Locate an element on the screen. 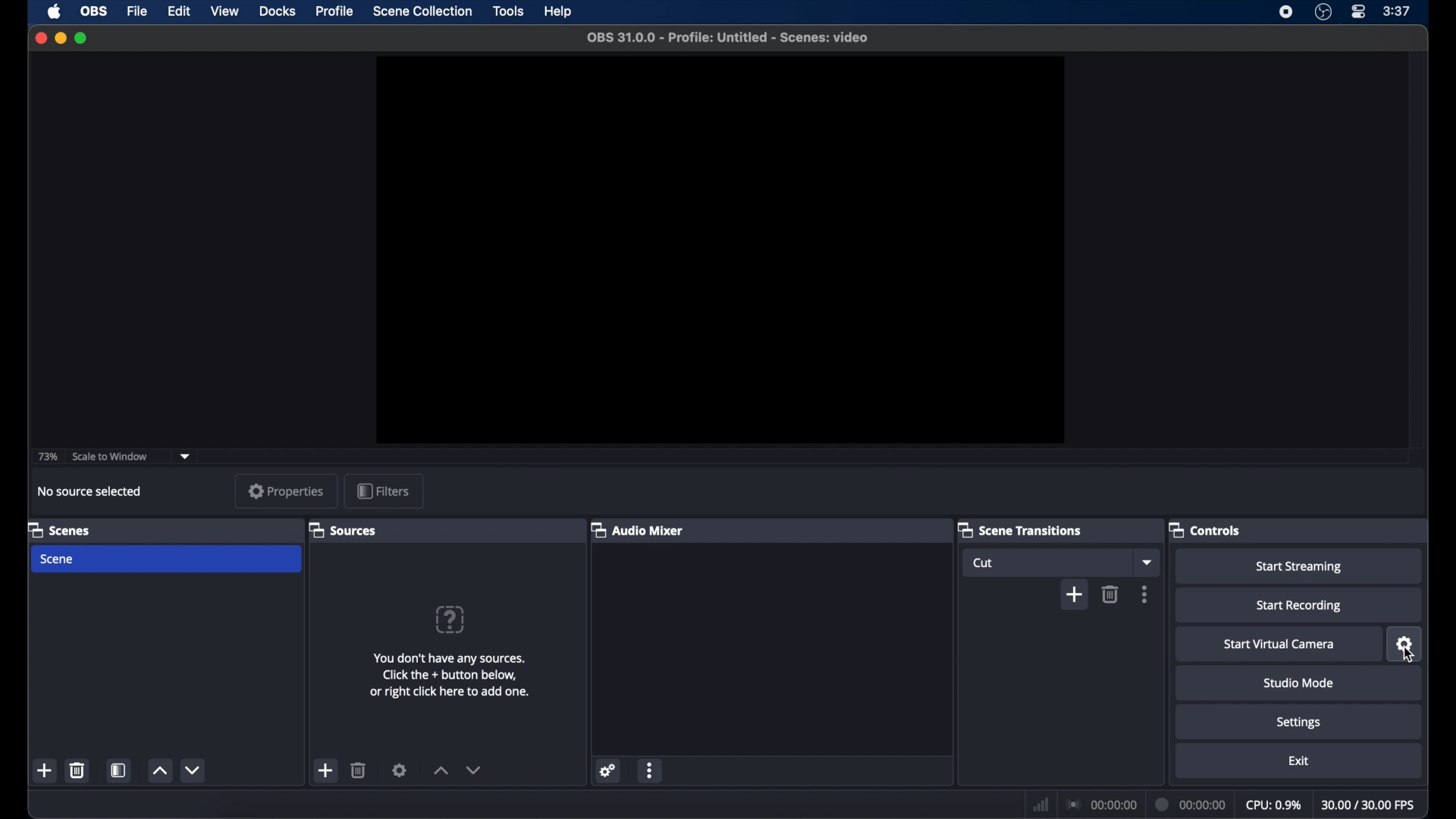 This screenshot has height=819, width=1456. add is located at coordinates (326, 770).